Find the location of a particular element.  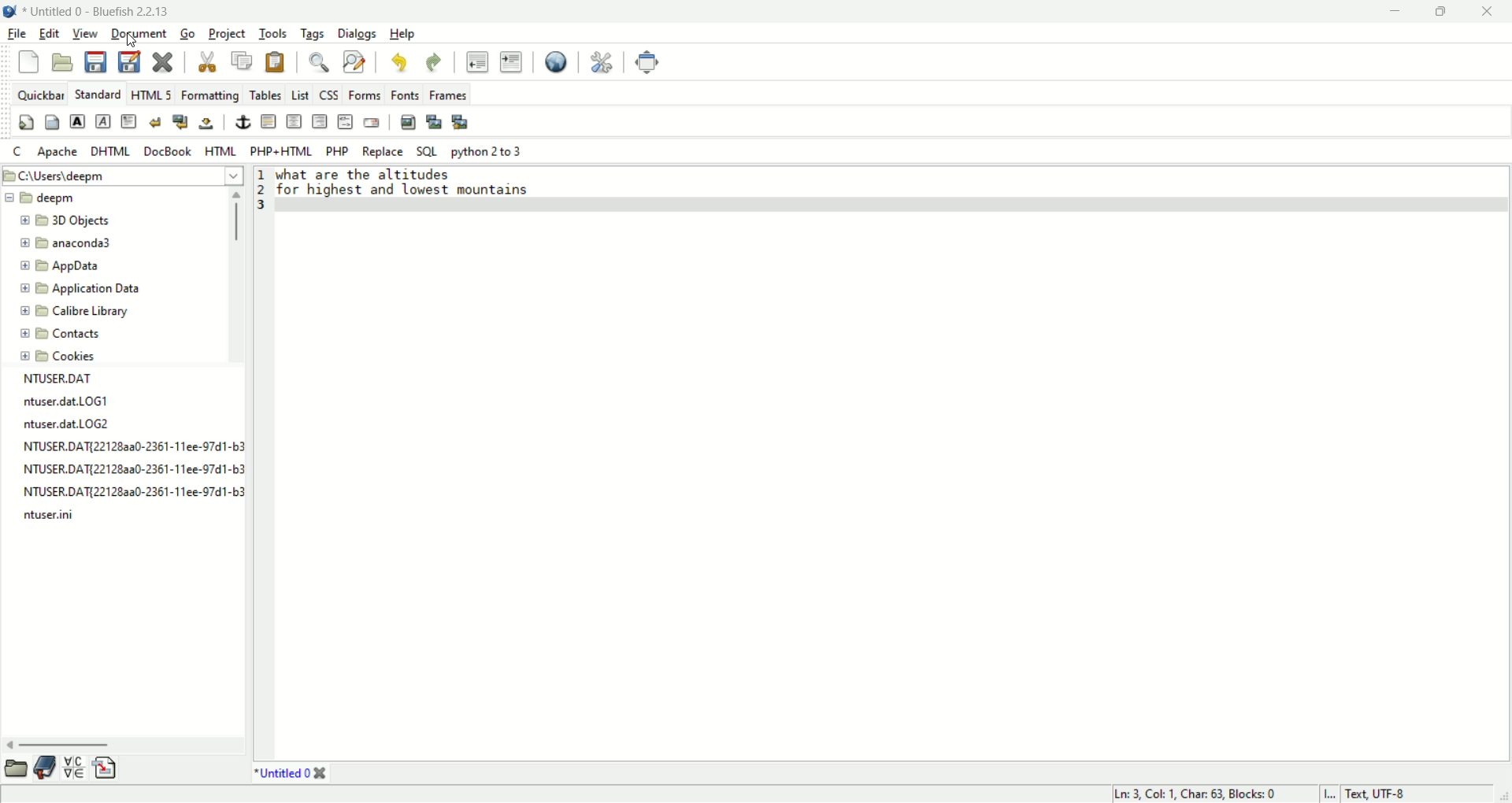

file name is located at coordinates (74, 422).